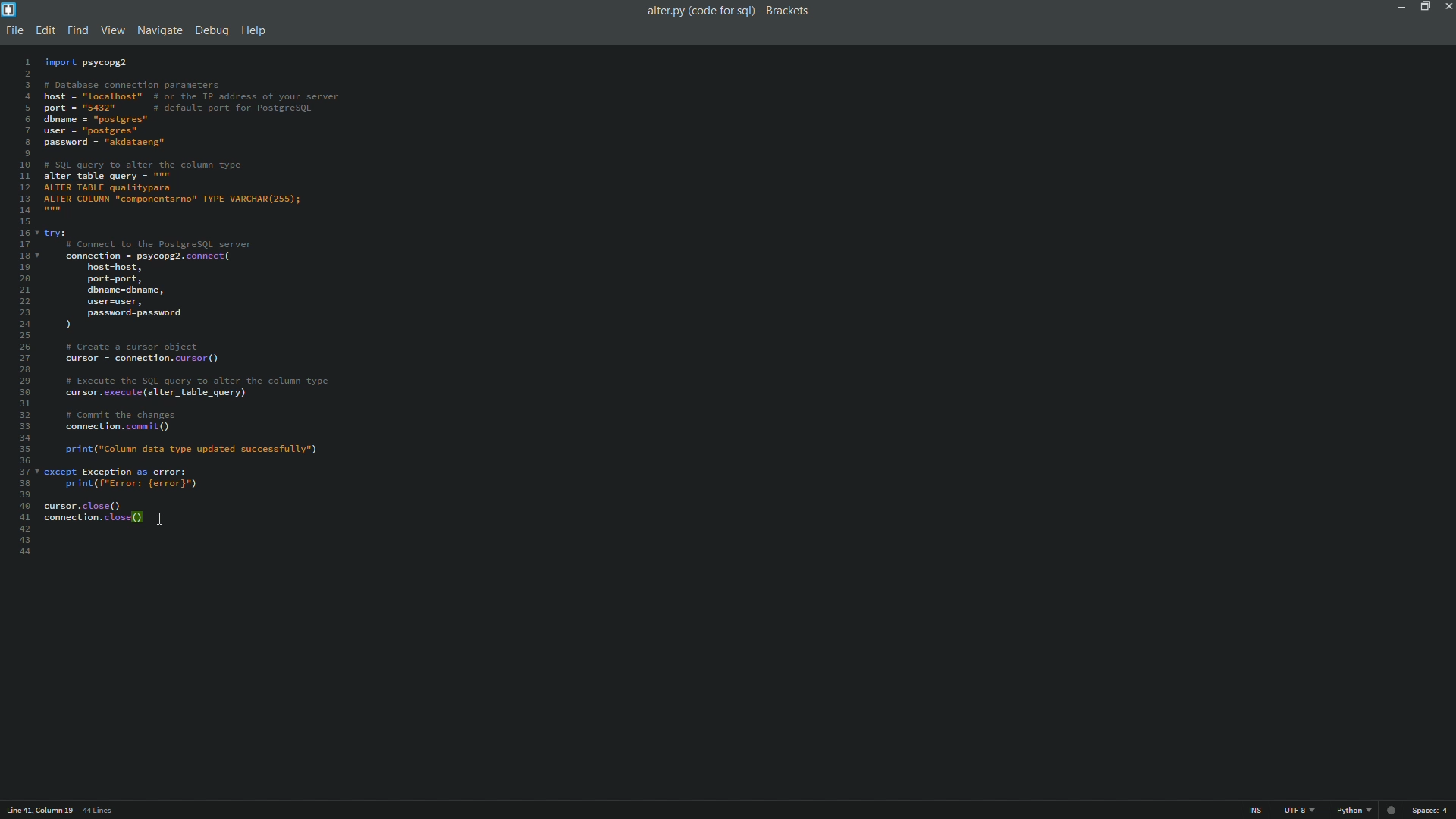  I want to click on line numbers, so click(22, 306).